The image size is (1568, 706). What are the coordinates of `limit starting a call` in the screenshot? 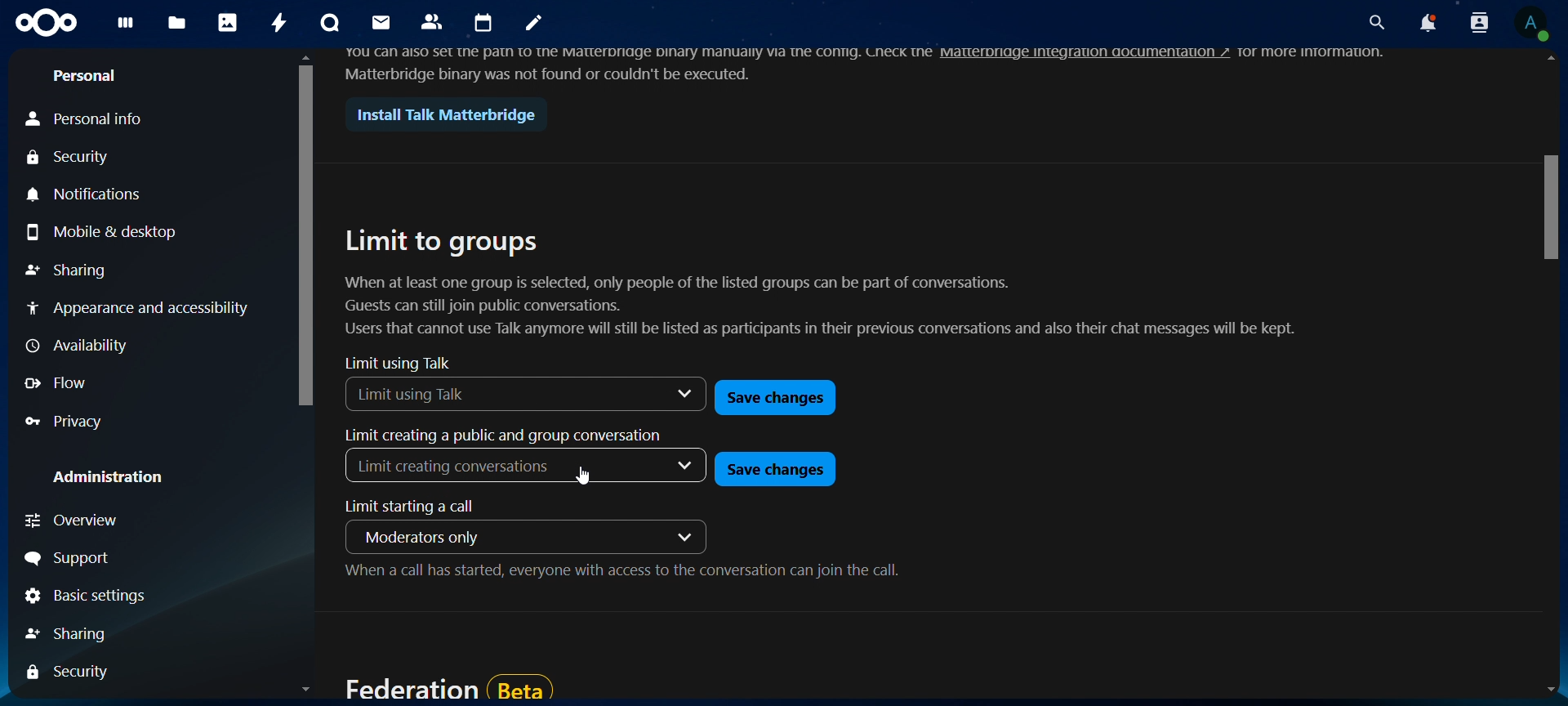 It's located at (416, 505).